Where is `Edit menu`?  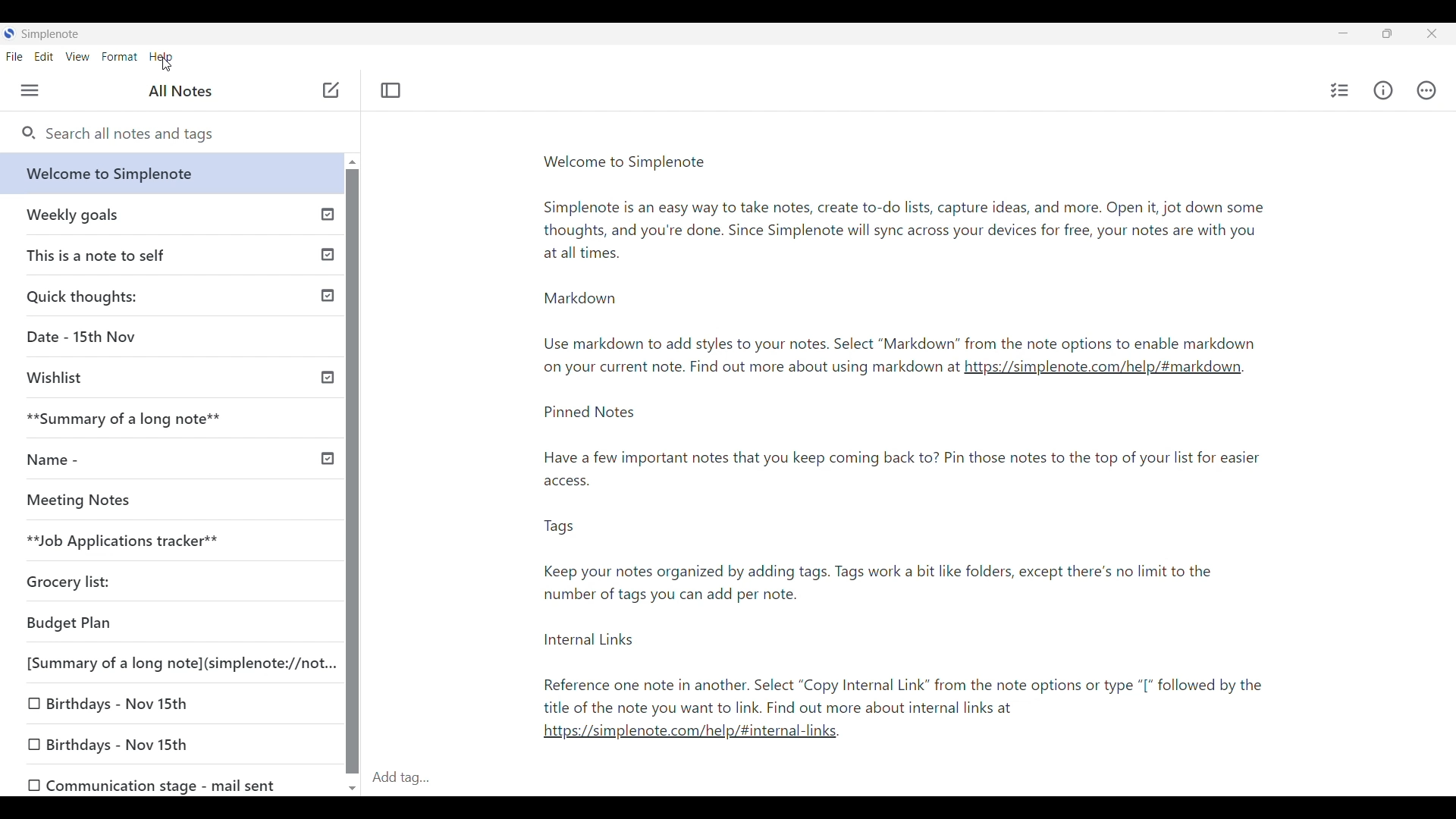 Edit menu is located at coordinates (44, 57).